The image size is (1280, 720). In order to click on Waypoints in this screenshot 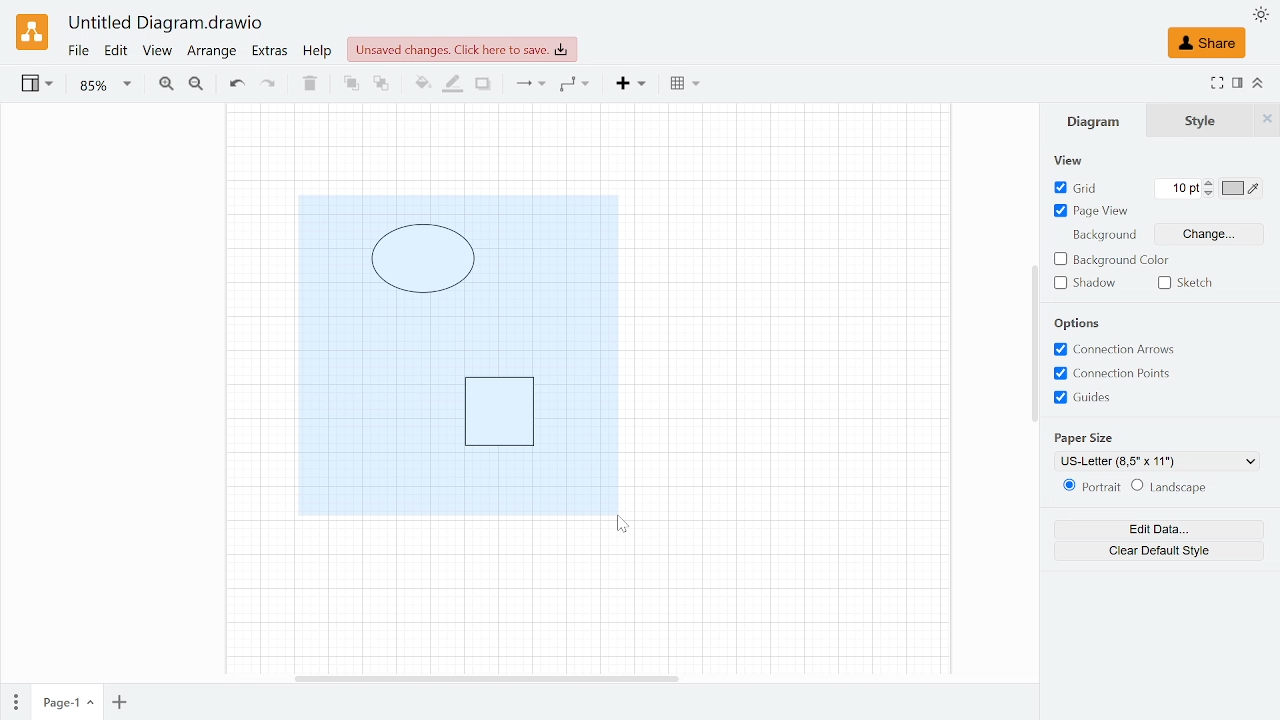, I will do `click(574, 85)`.